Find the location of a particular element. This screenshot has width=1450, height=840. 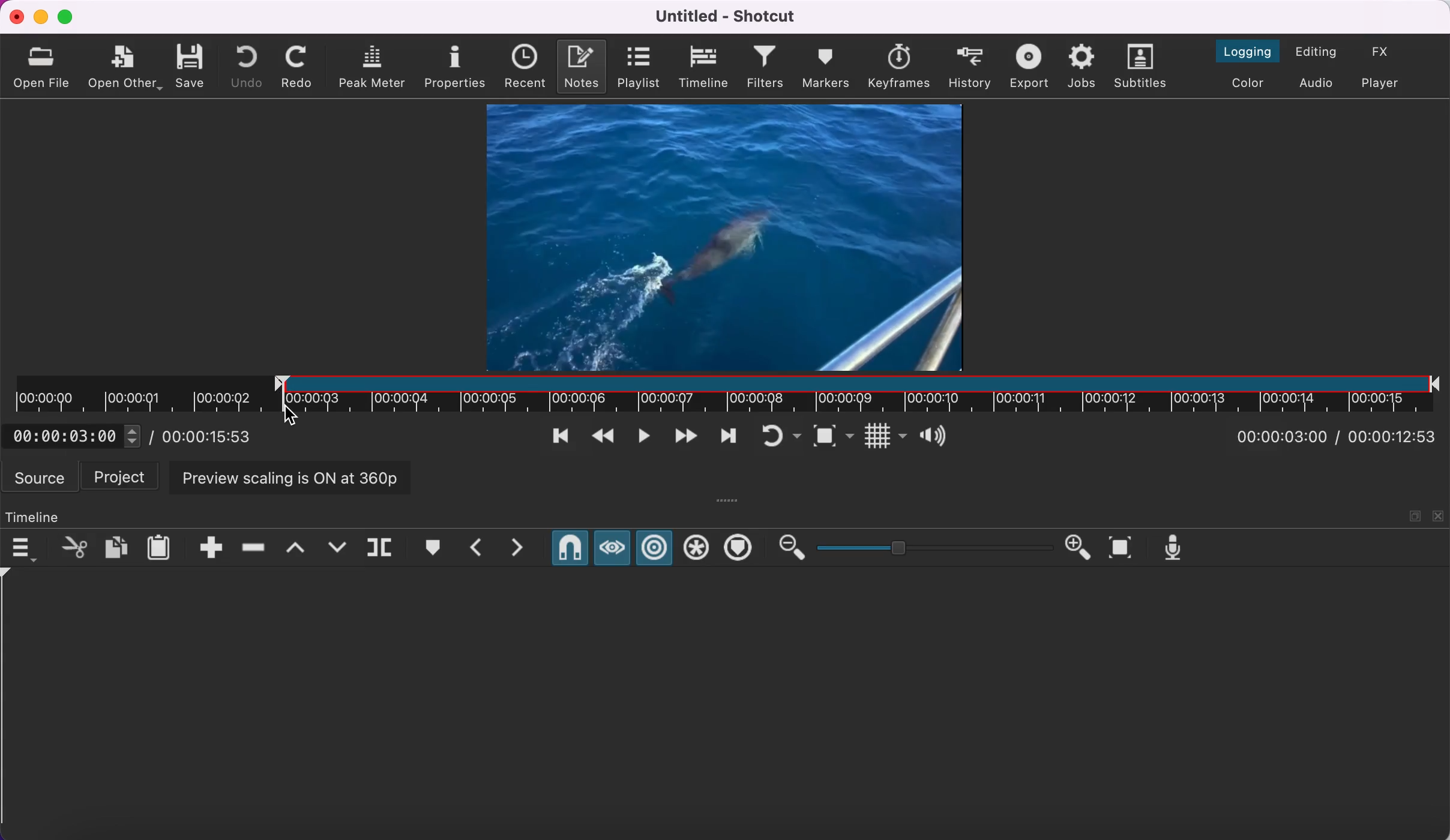

unclipped timeline is located at coordinates (140, 394).